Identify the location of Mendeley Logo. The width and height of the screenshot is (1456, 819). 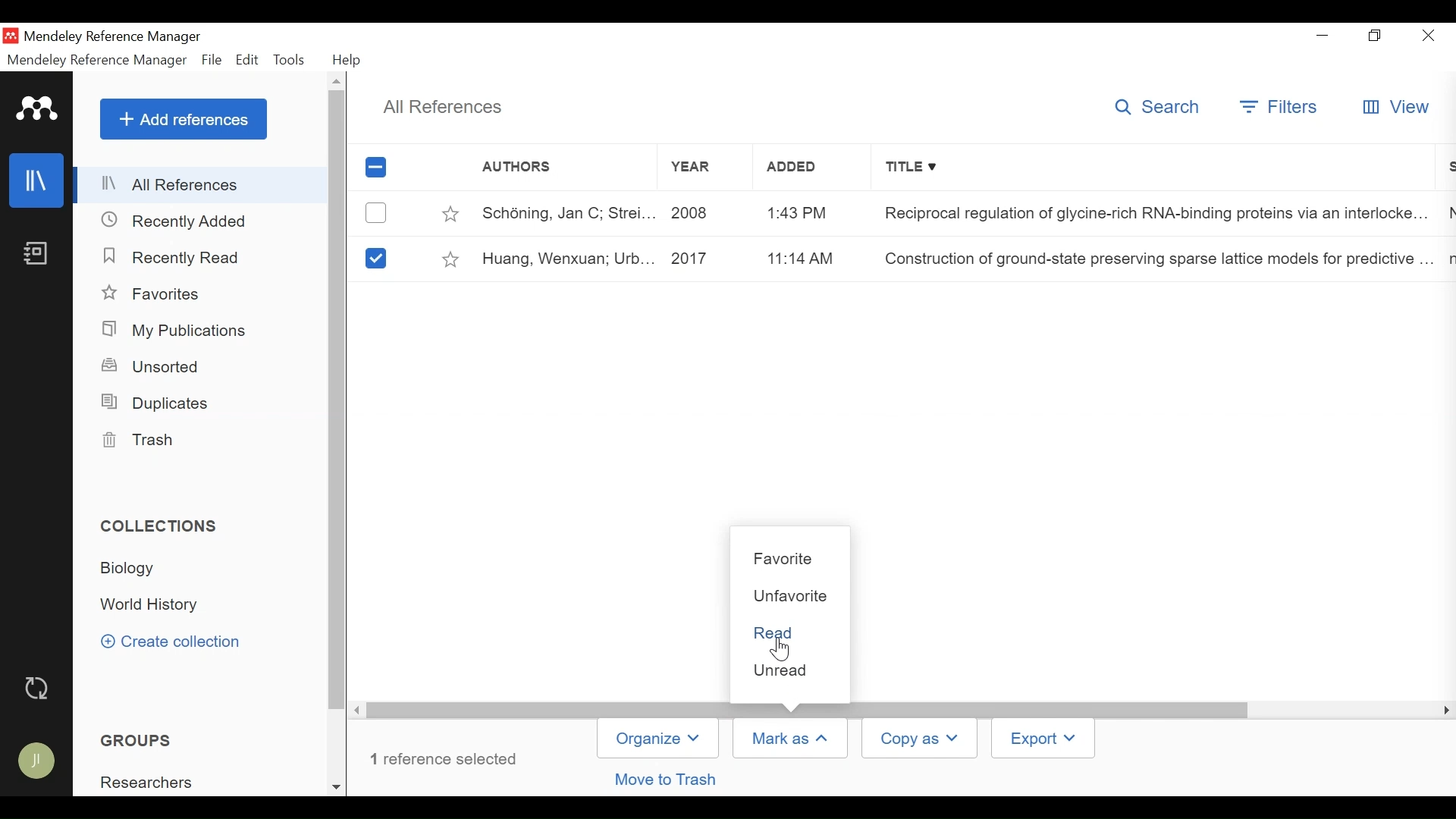
(39, 111).